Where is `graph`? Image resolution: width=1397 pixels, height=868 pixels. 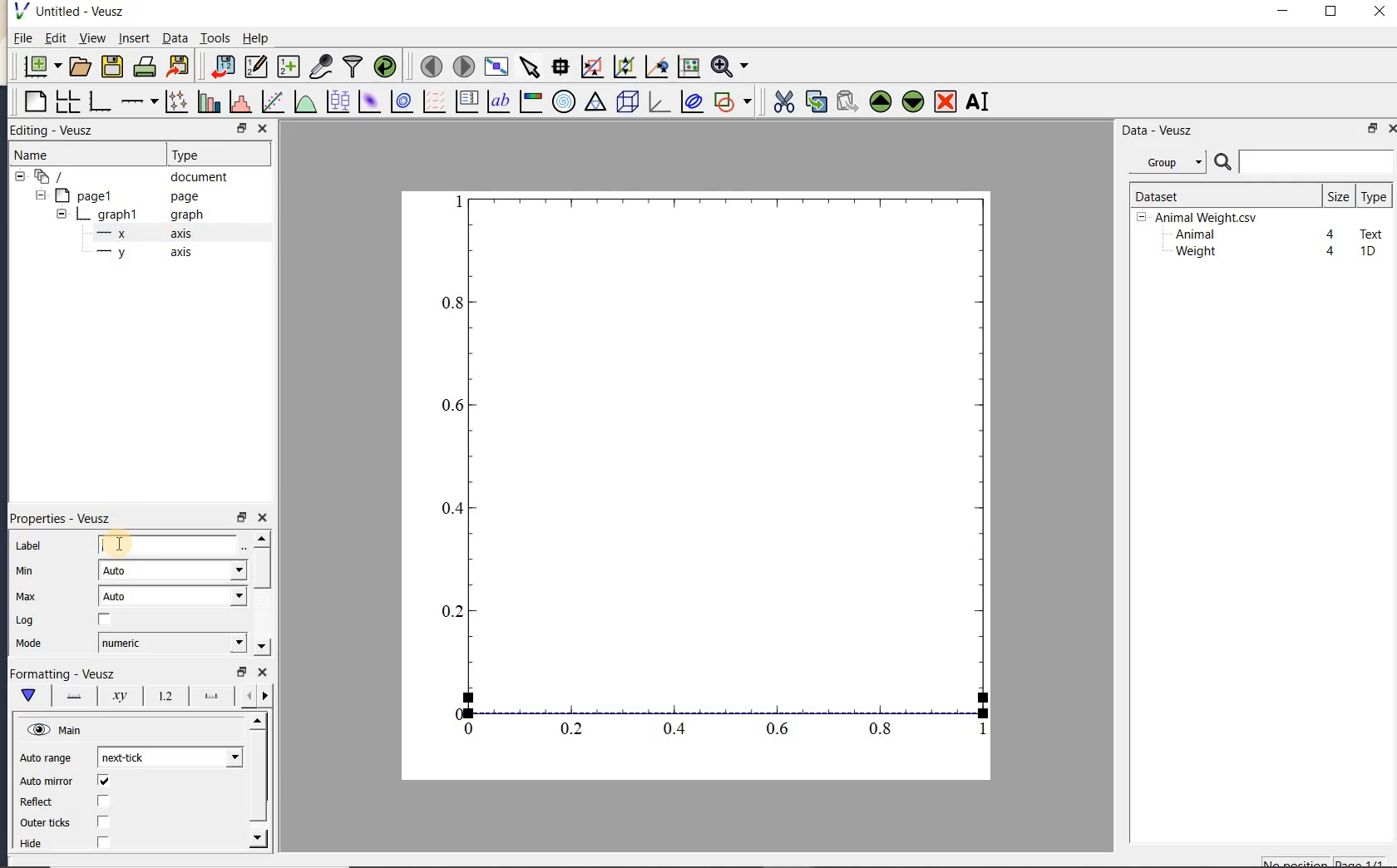
graph is located at coordinates (717, 469).